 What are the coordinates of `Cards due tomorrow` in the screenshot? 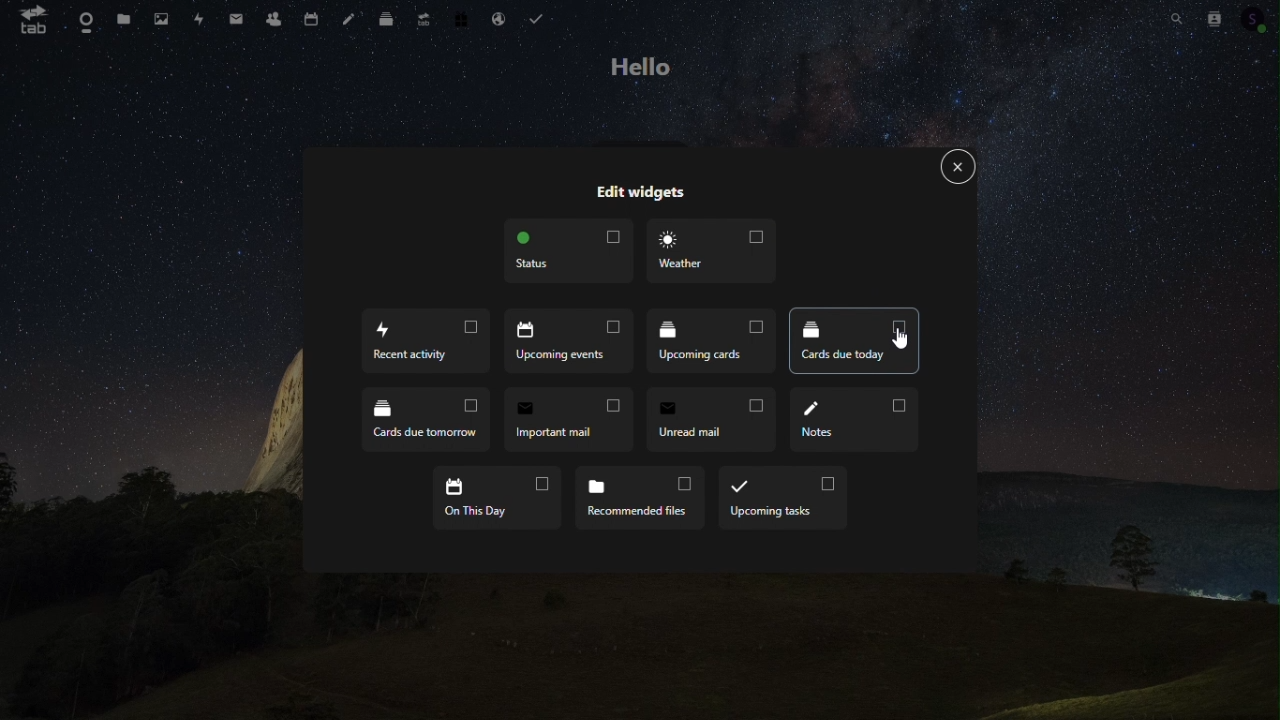 It's located at (423, 418).